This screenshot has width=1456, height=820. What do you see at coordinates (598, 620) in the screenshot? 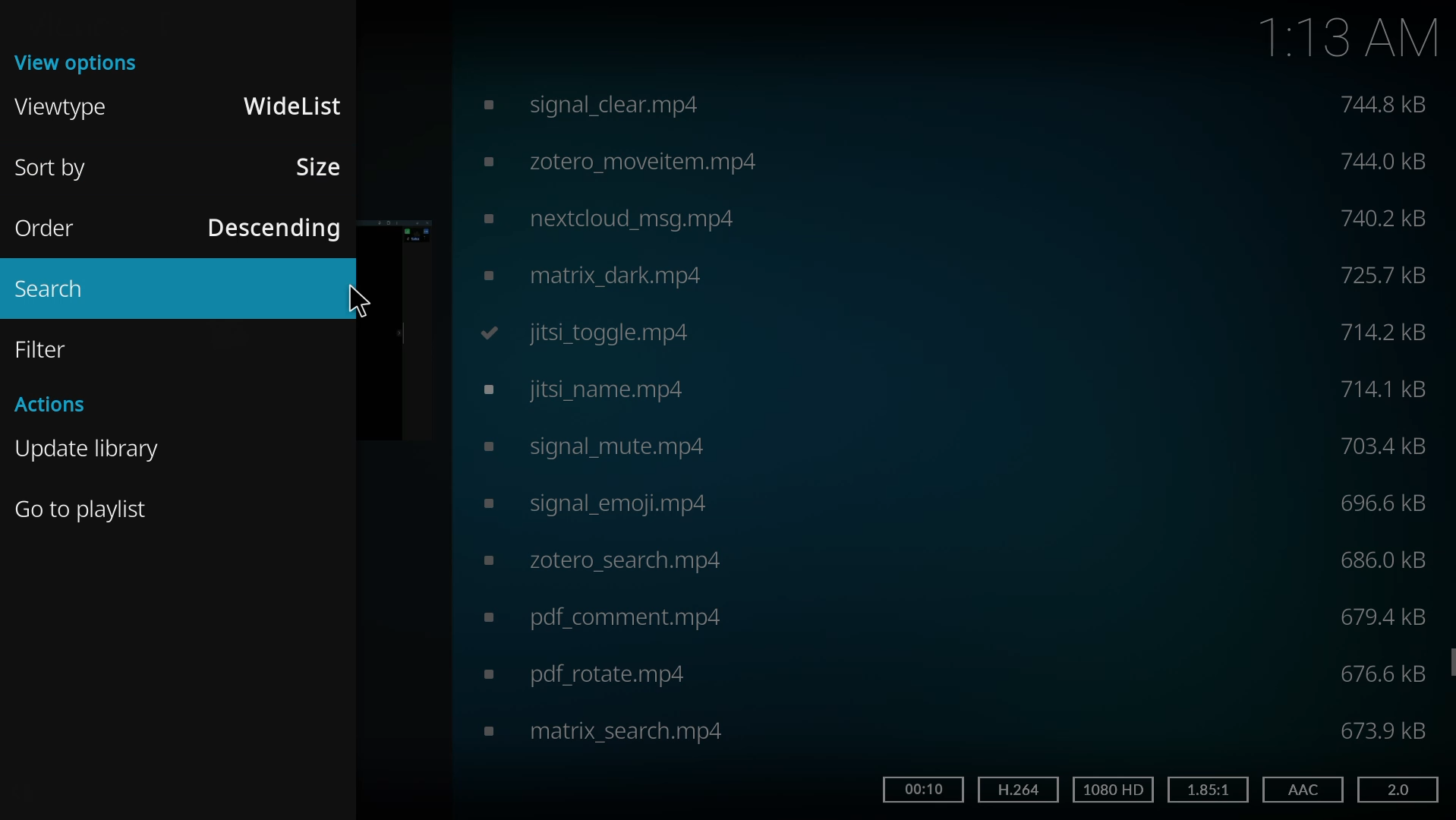
I see `video` at bounding box center [598, 620].